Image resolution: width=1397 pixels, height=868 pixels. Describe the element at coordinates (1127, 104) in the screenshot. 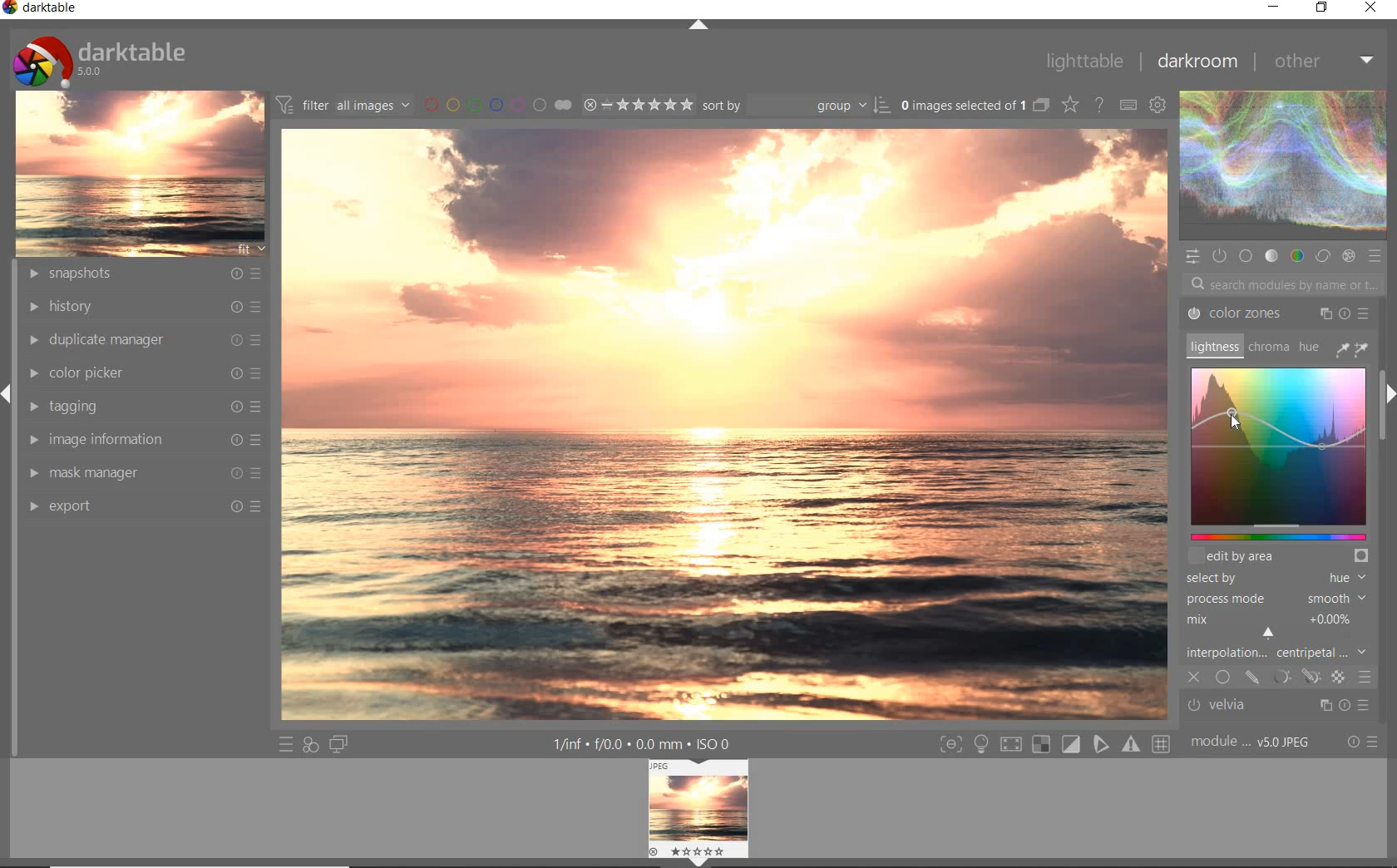

I see `define keyboard shortcut` at that location.